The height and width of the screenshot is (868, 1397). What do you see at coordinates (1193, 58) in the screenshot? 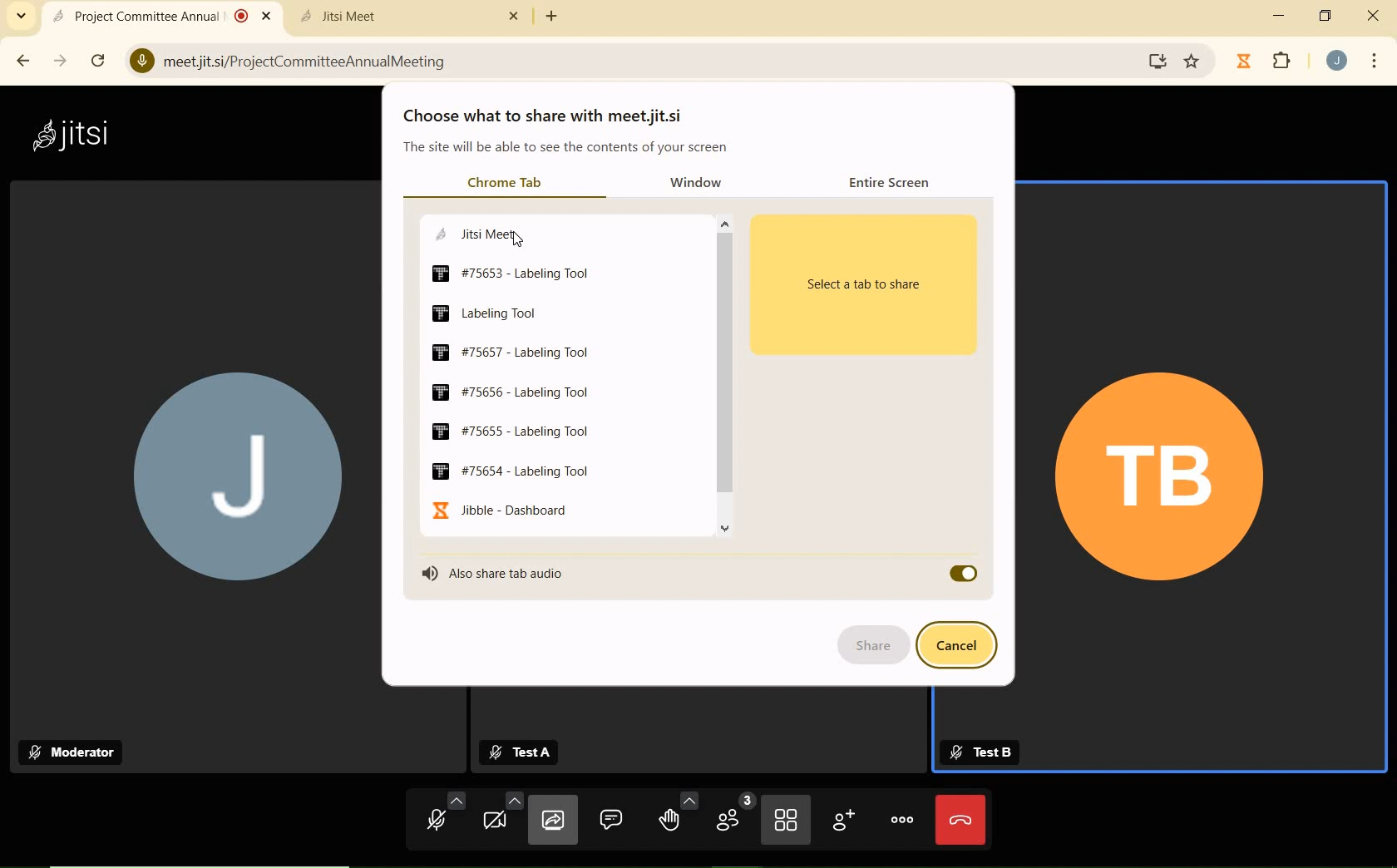
I see `favorite` at bounding box center [1193, 58].